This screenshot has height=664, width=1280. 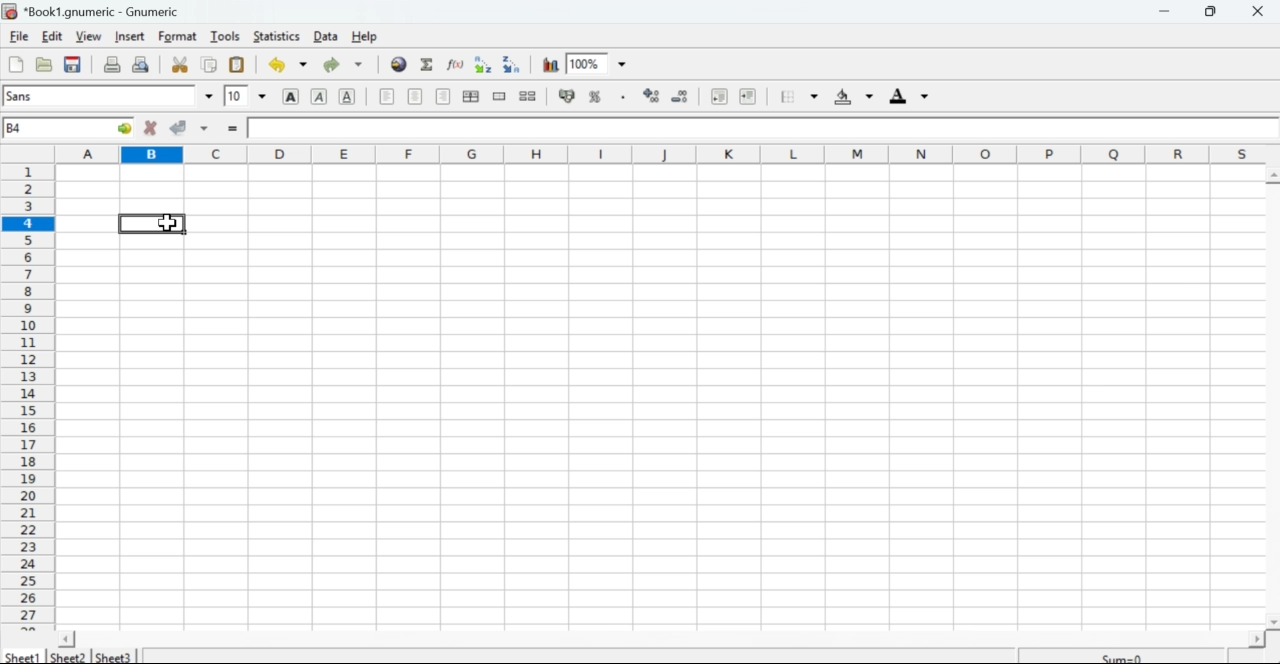 What do you see at coordinates (664, 153) in the screenshot?
I see `Alphabets row` at bounding box center [664, 153].